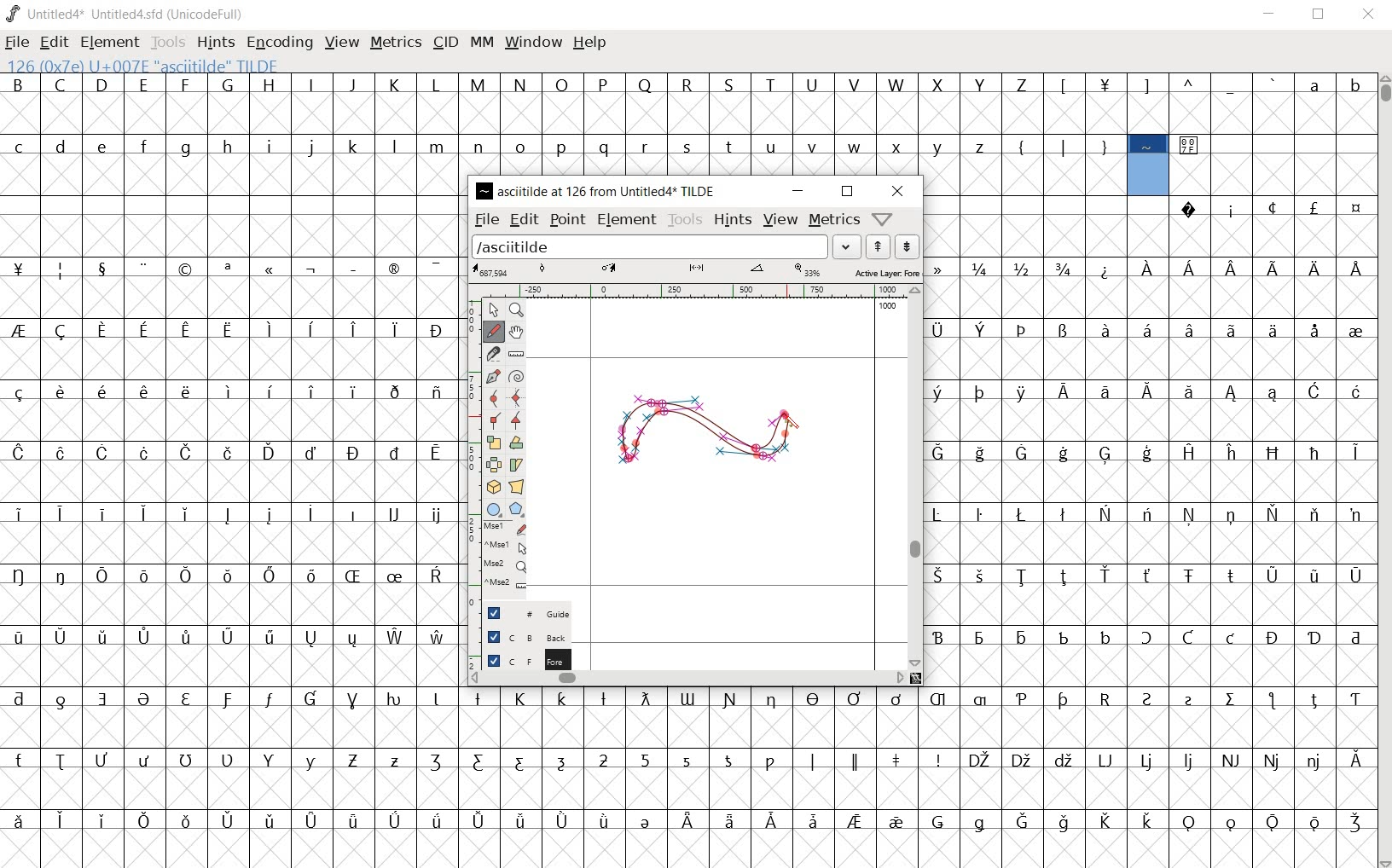 The width and height of the screenshot is (1392, 868). I want to click on perform a perspective transformation on the selection, so click(492, 486).